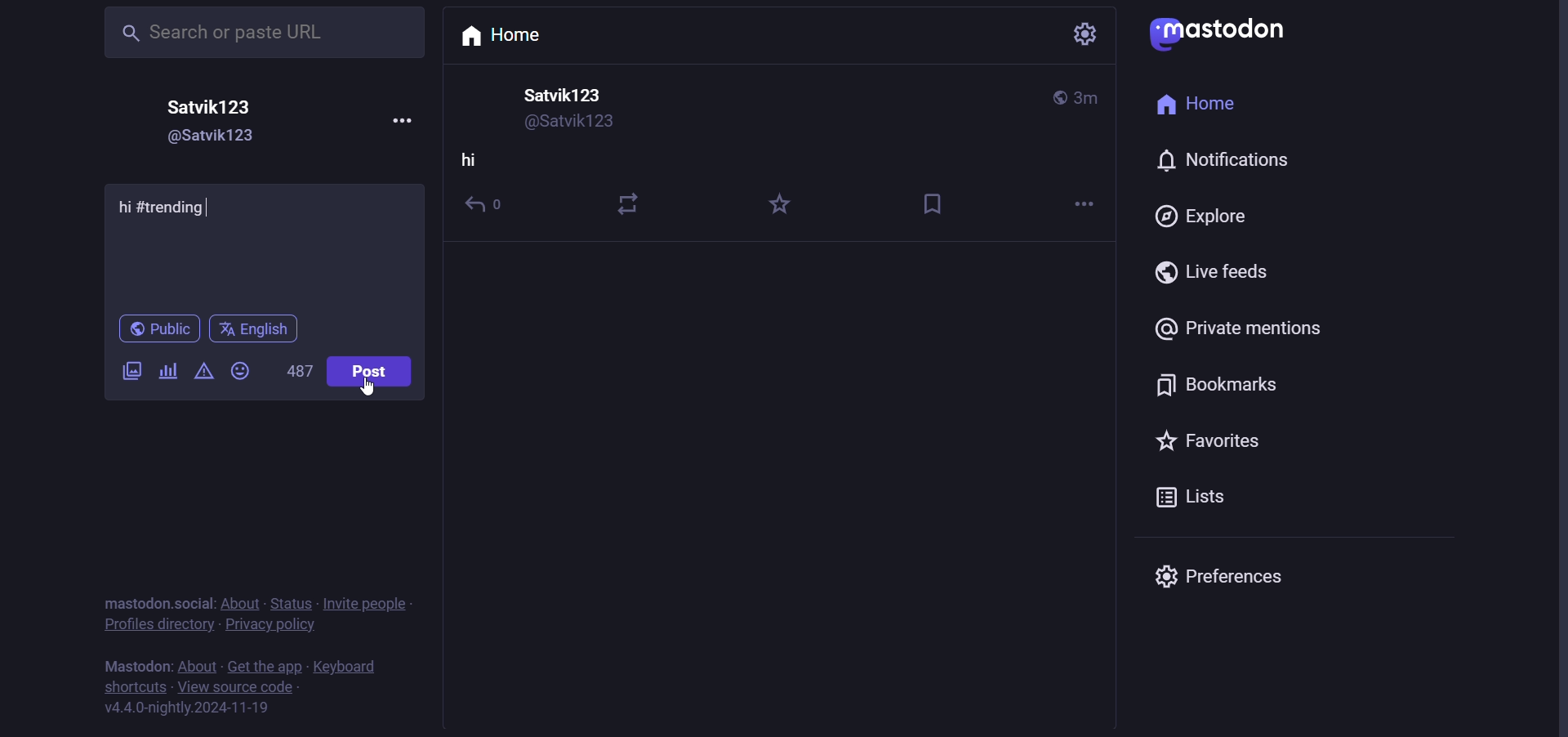  I want to click on profiles, so click(157, 628).